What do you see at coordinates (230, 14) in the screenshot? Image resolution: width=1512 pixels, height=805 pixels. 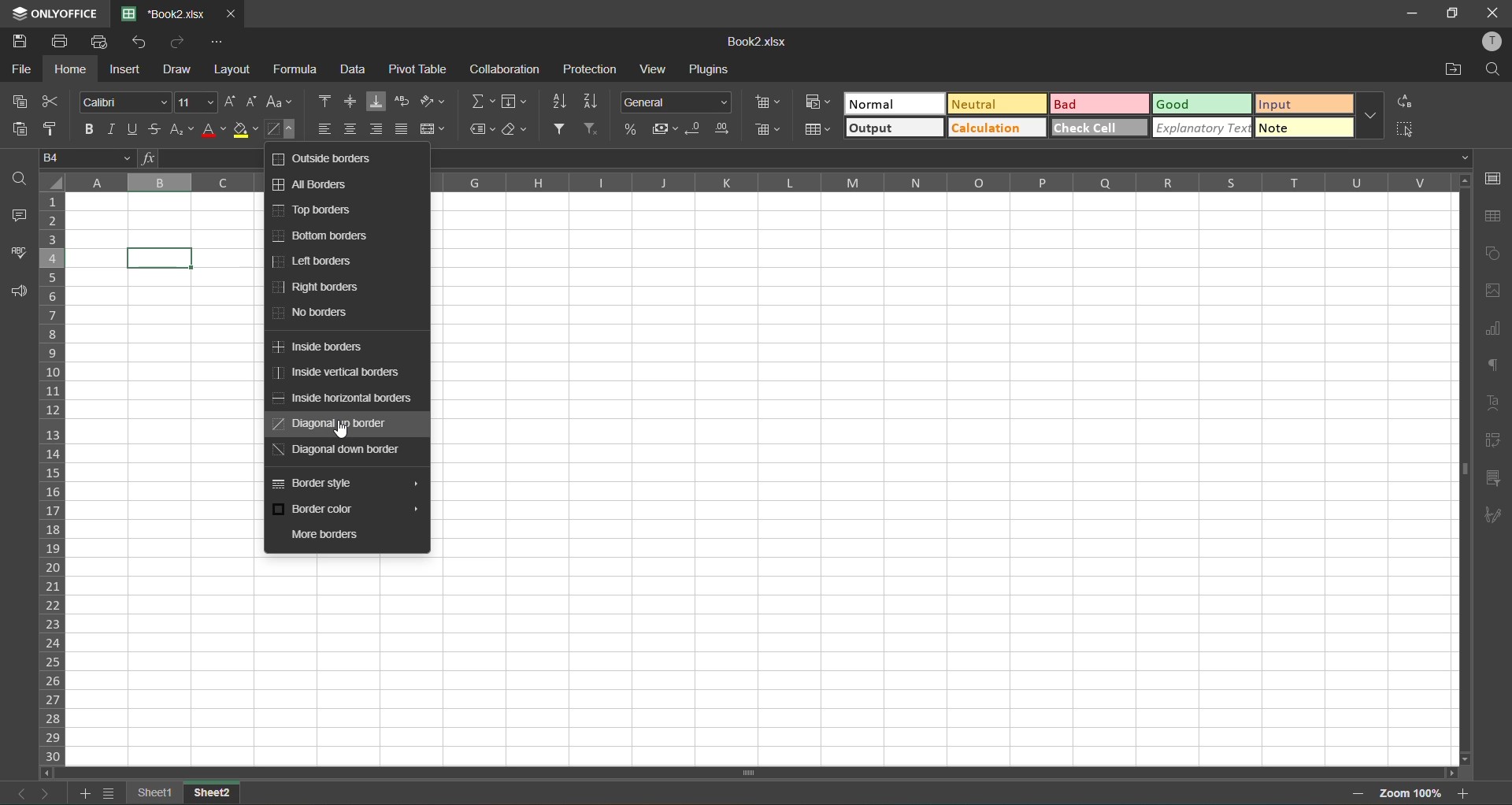 I see `close tab` at bounding box center [230, 14].